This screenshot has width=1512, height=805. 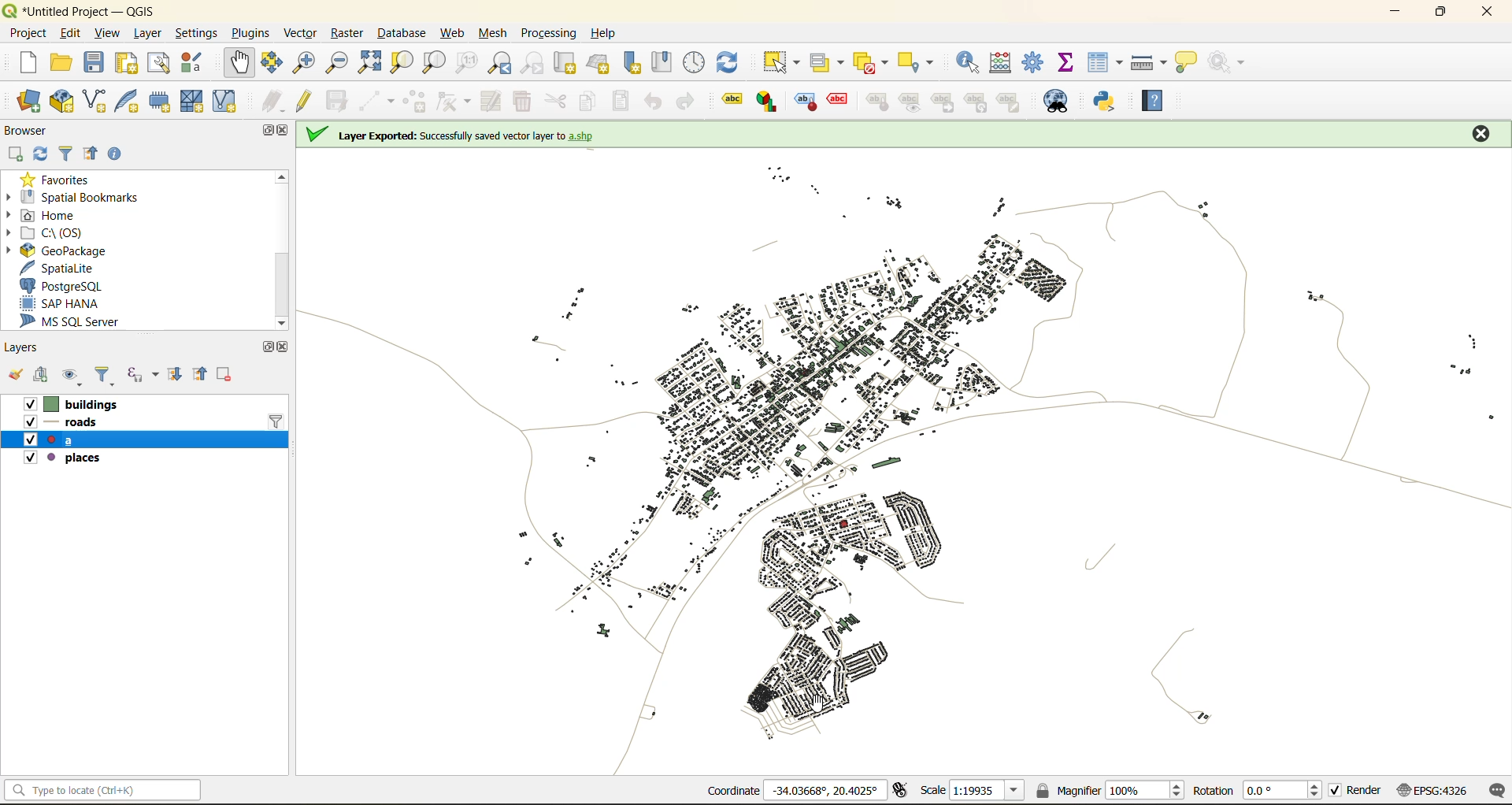 I want to click on browser, so click(x=31, y=128).